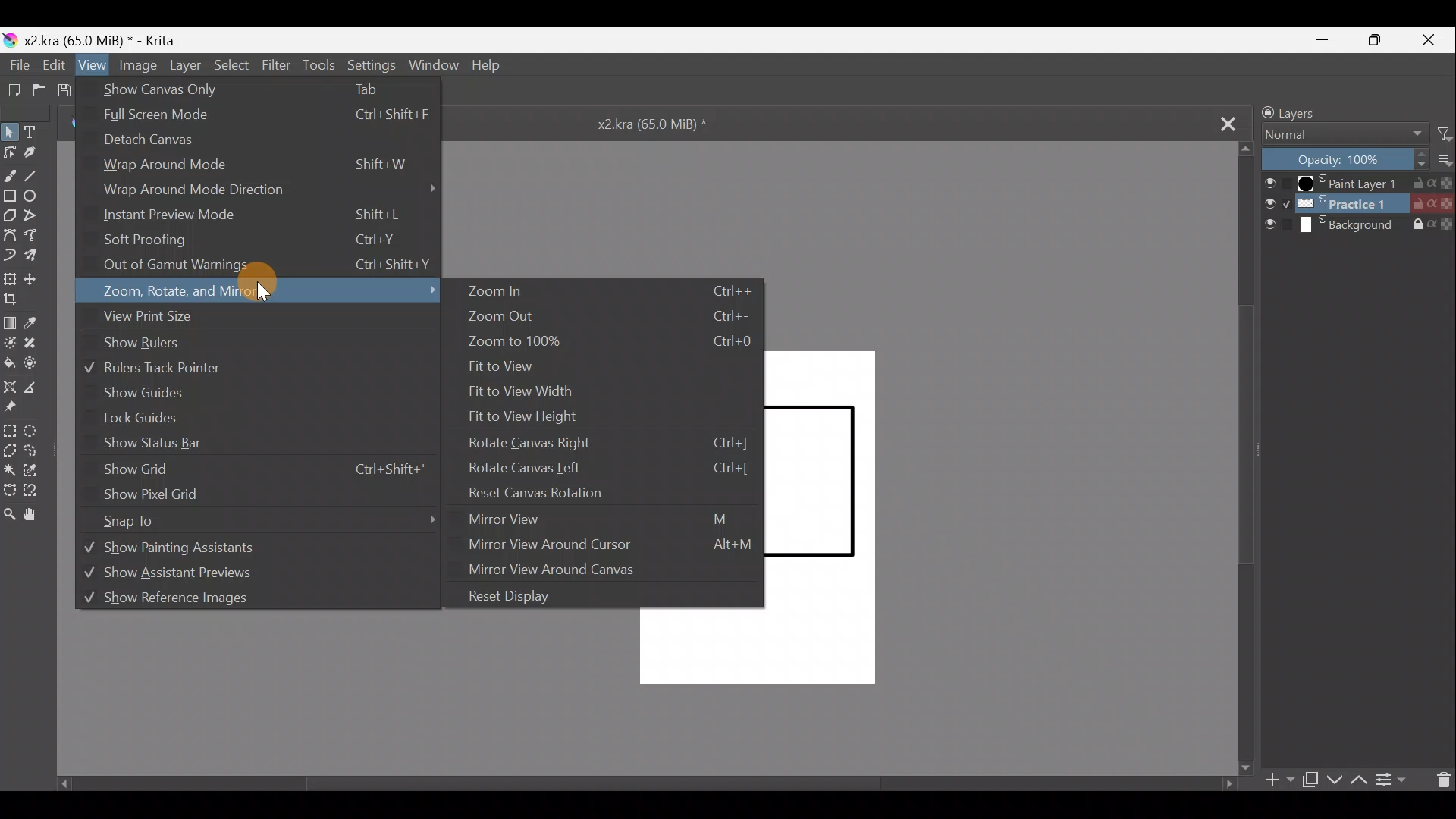 Image resolution: width=1456 pixels, height=819 pixels. I want to click on Show reference images, so click(217, 603).